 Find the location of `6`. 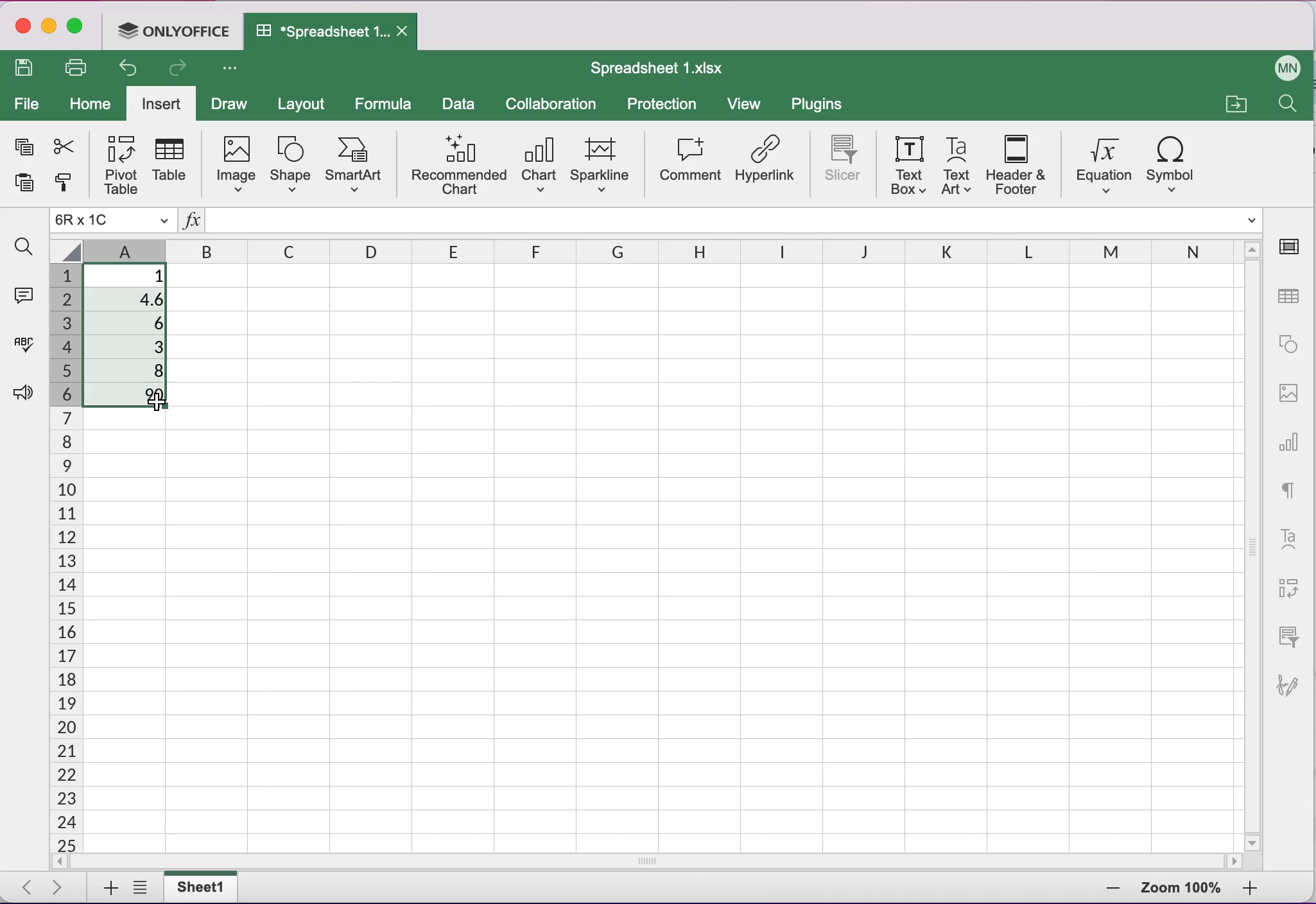

6 is located at coordinates (132, 324).